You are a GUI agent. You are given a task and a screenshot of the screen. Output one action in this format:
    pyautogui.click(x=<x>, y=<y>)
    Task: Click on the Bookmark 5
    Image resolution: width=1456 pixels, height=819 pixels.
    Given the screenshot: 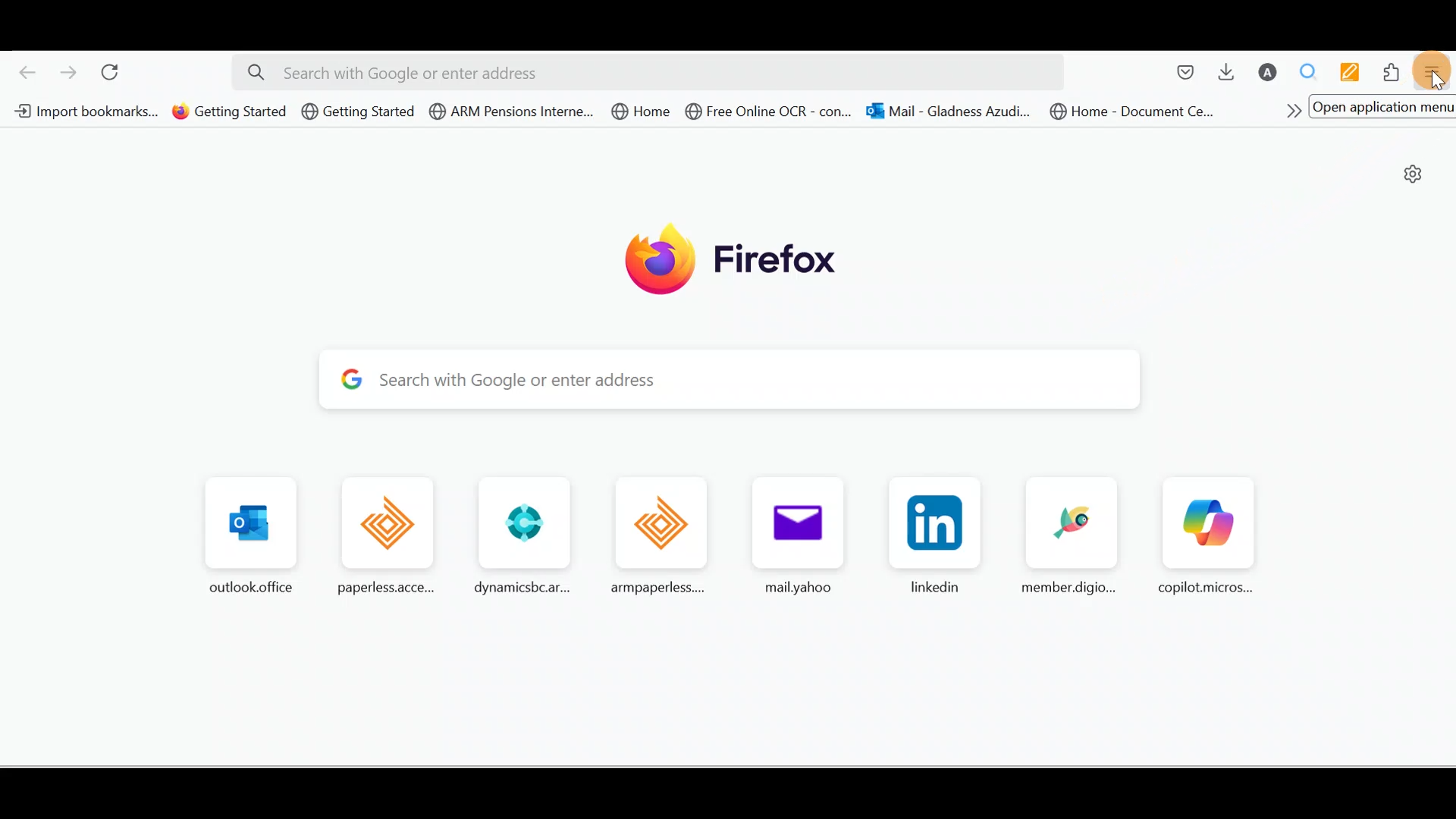 What is the action you would take?
    pyautogui.click(x=640, y=111)
    